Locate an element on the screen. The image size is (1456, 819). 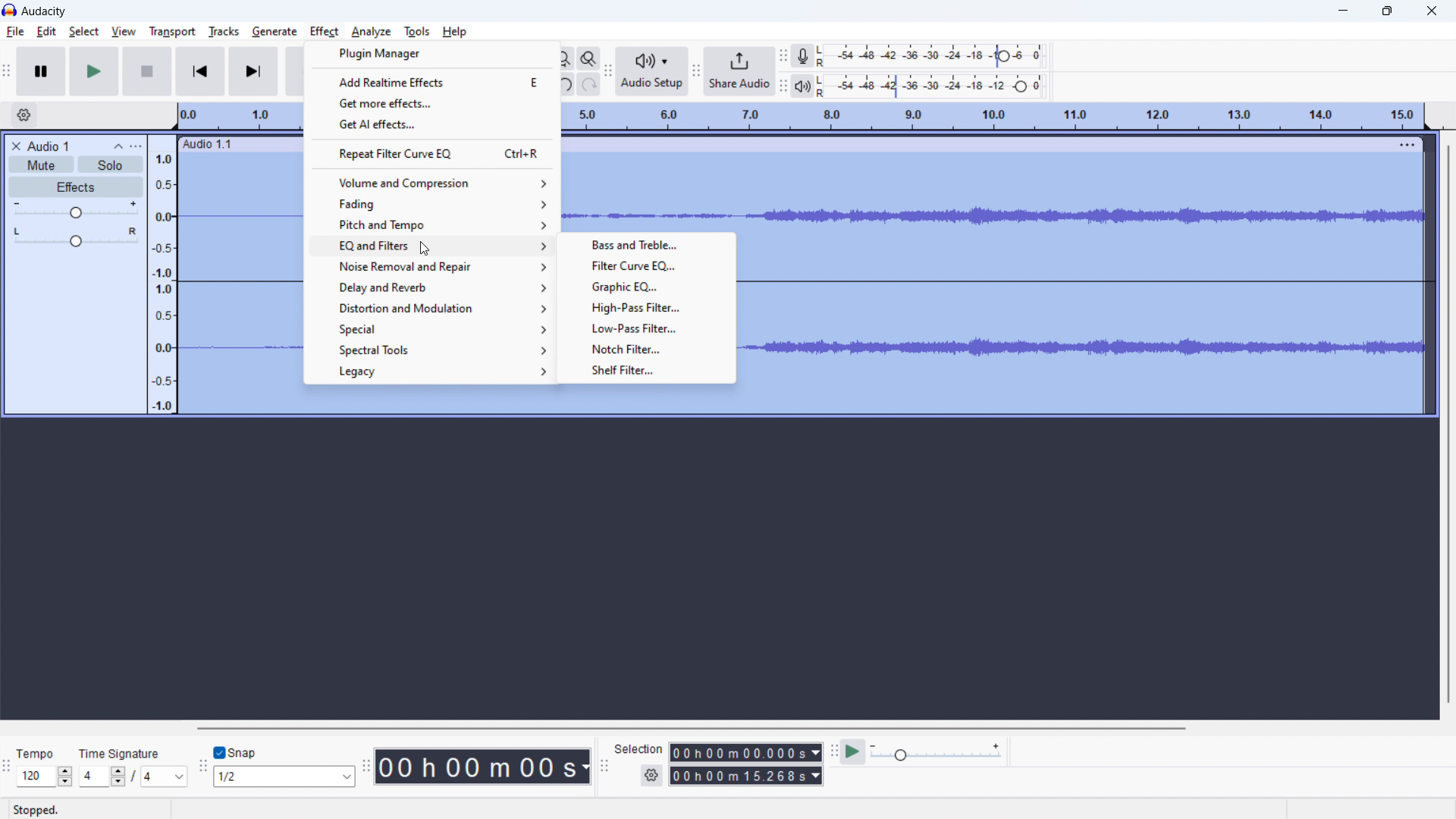
120 (select tempo ) is located at coordinates (44, 777).